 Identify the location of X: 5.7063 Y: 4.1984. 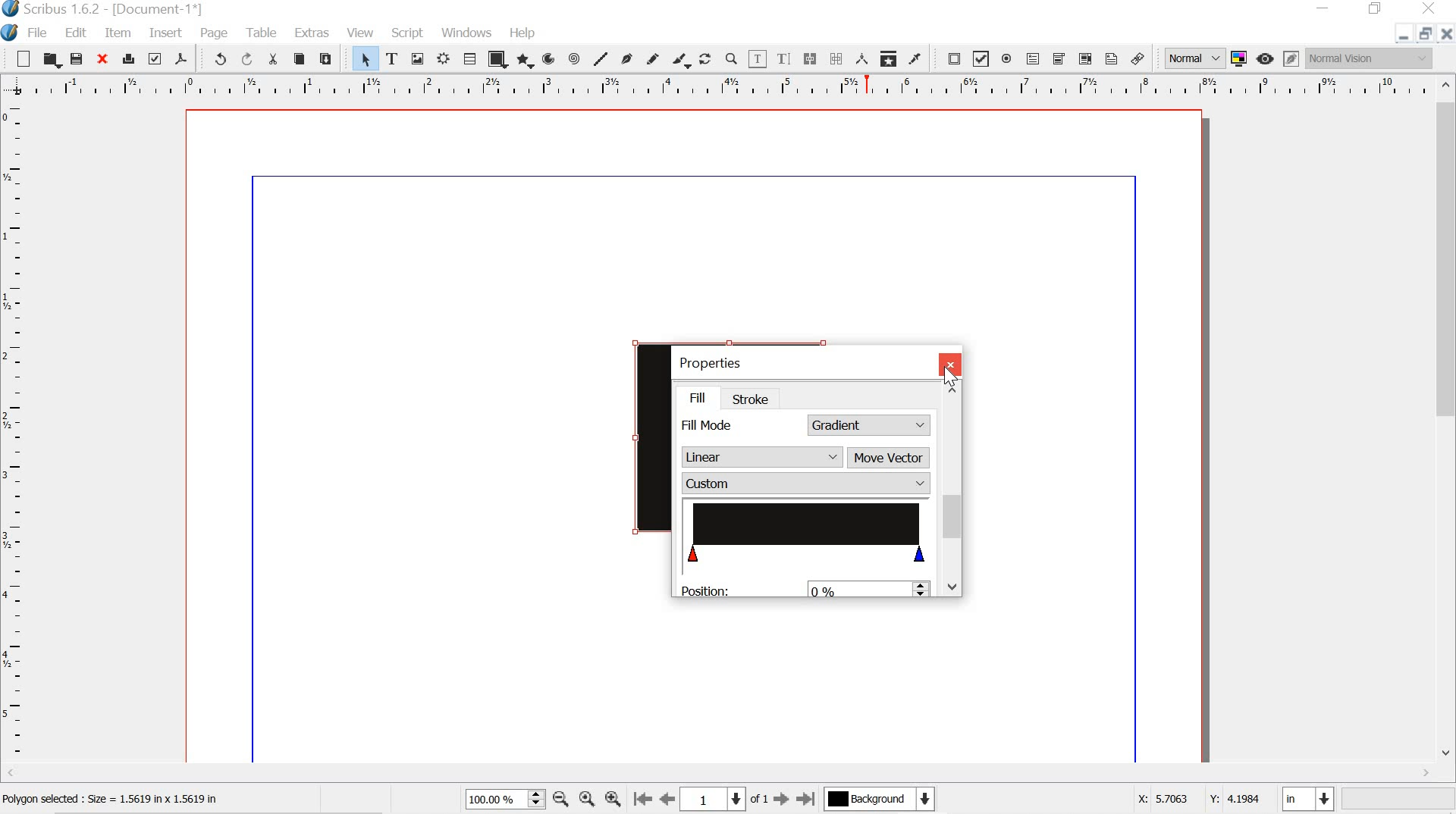
(1189, 801).